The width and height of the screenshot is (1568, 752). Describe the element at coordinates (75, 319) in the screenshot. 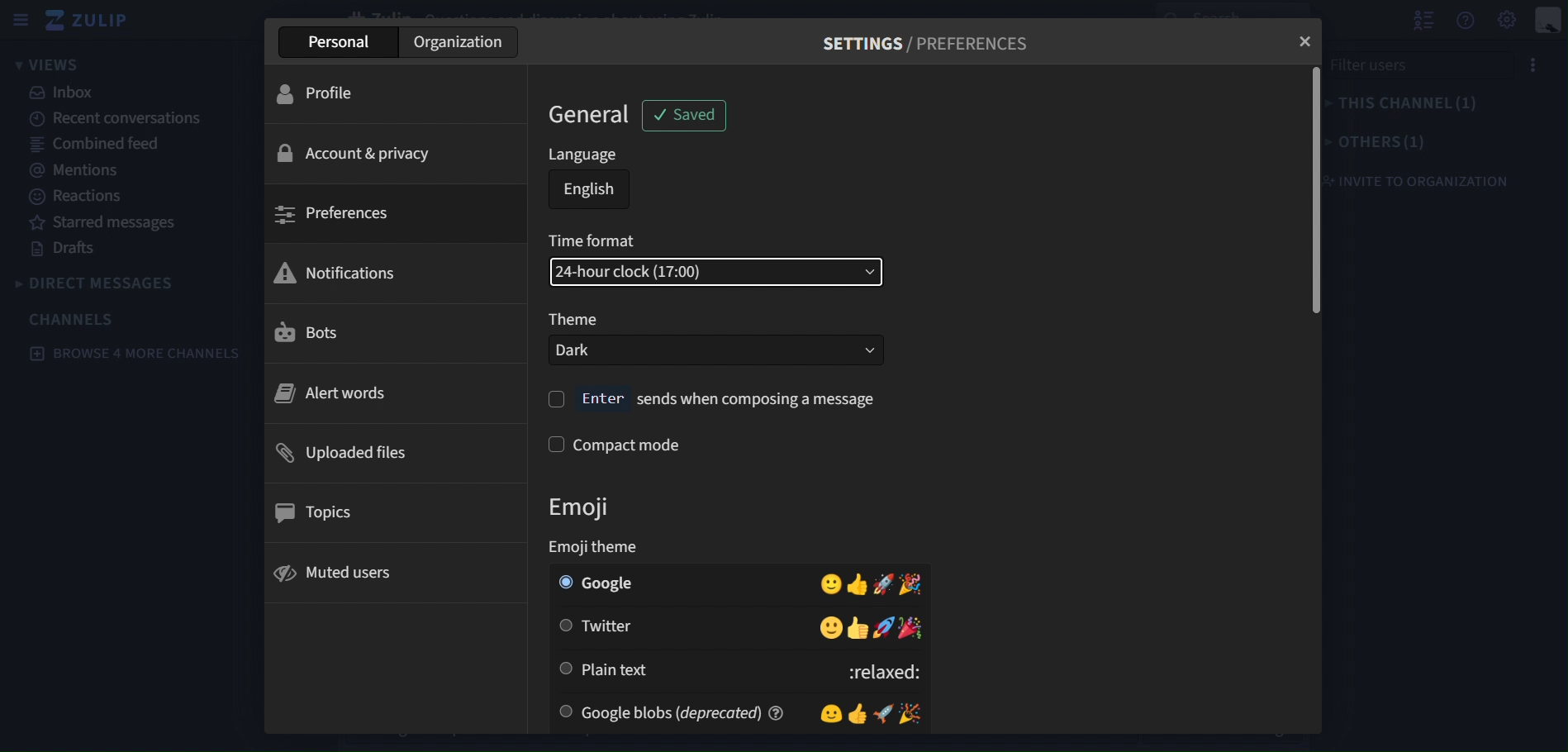

I see `channels` at that location.